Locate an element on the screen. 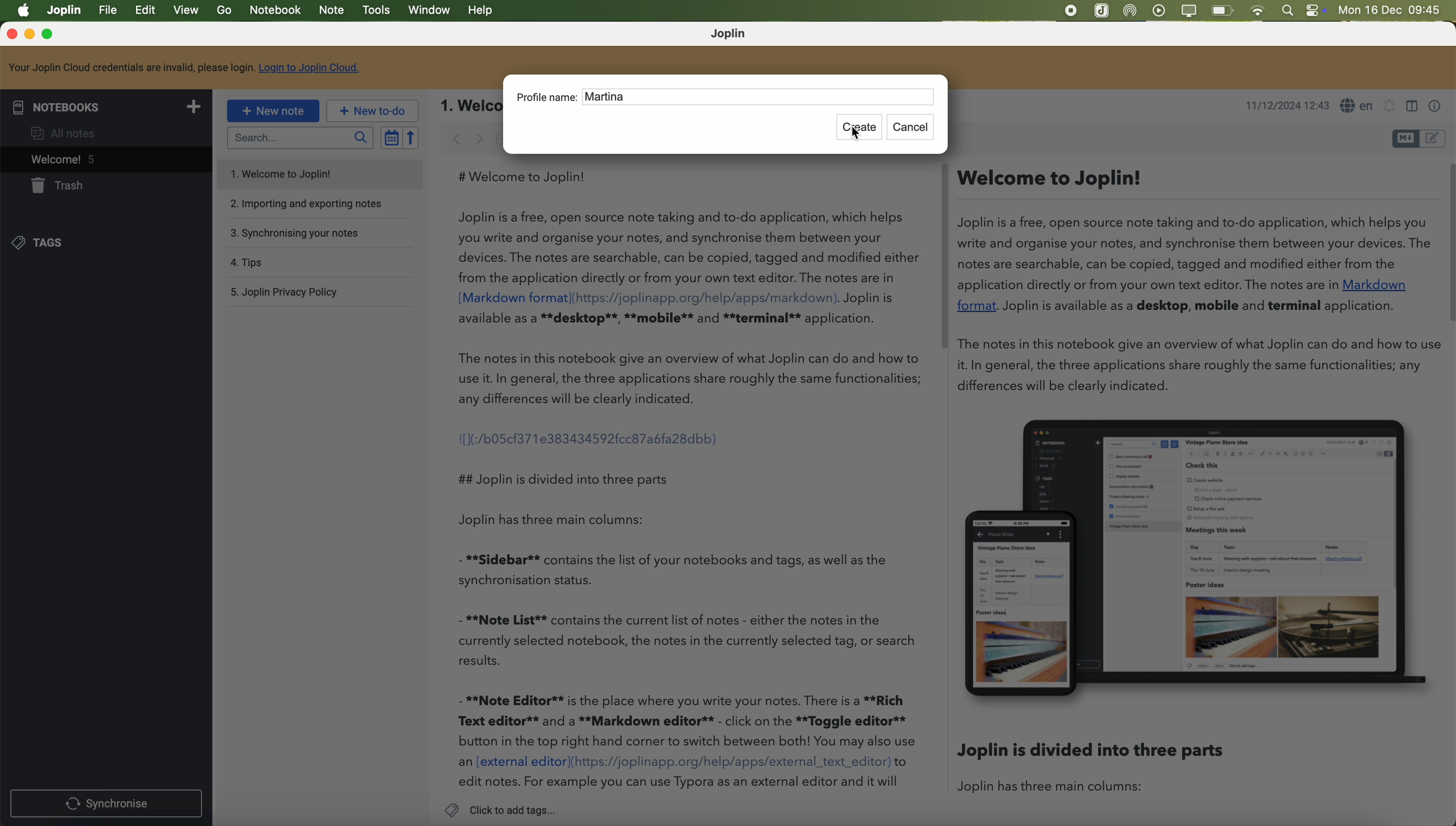 Image resolution: width=1456 pixels, height=826 pixels. 2. Importing and exporting notes is located at coordinates (306, 204).